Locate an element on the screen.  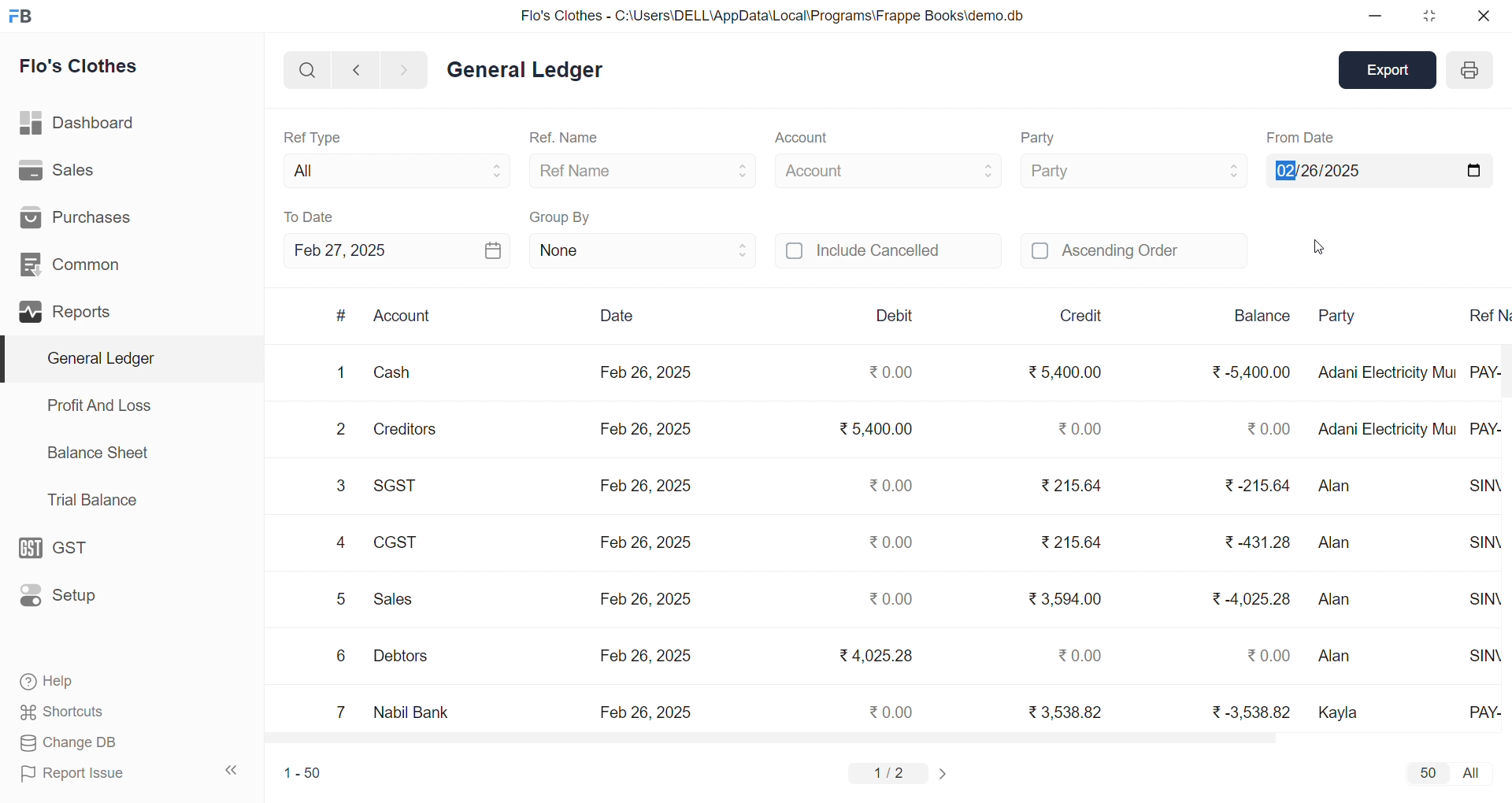
₹ 0.00 is located at coordinates (1263, 426).